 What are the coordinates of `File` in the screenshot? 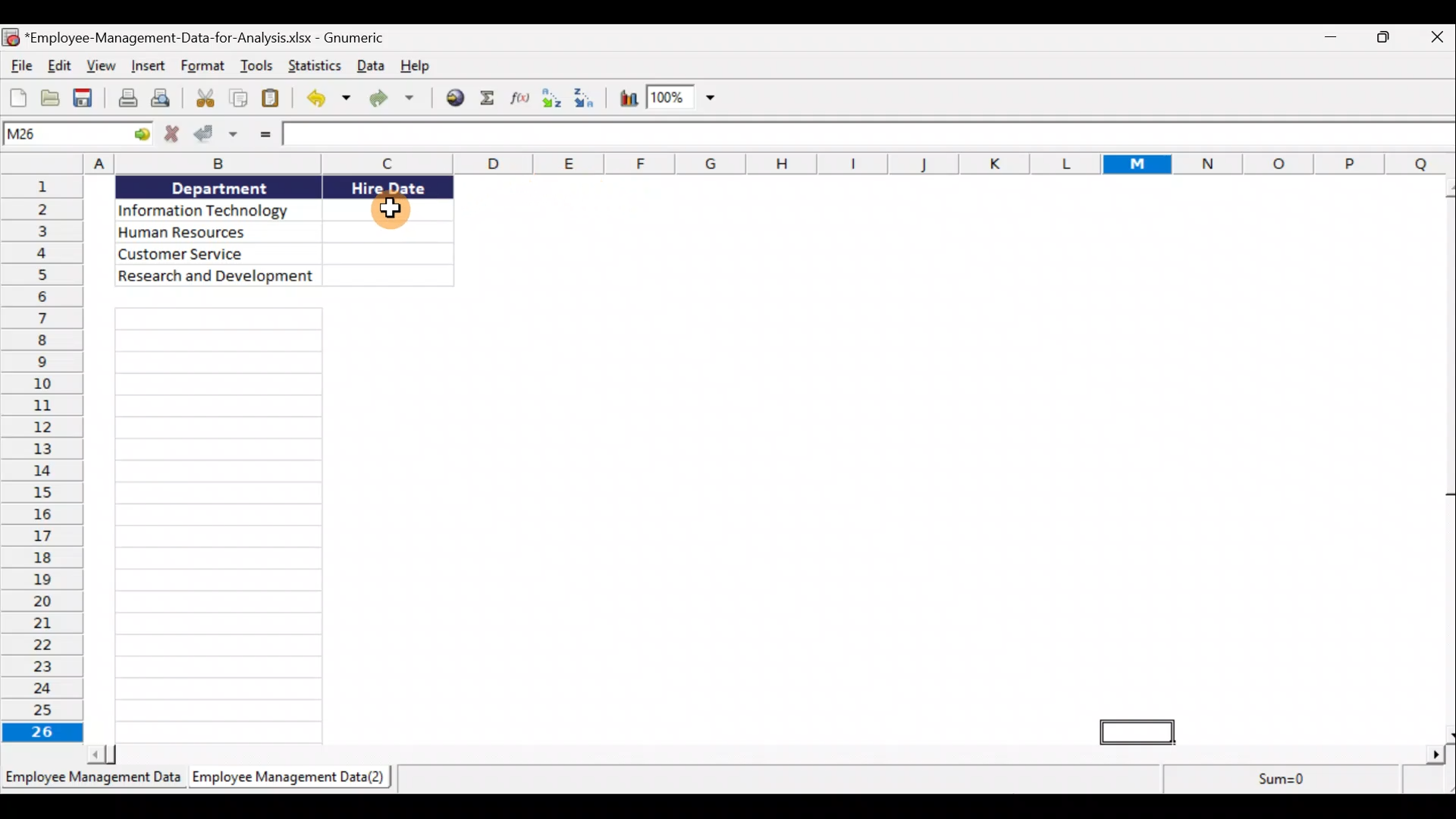 It's located at (17, 65).